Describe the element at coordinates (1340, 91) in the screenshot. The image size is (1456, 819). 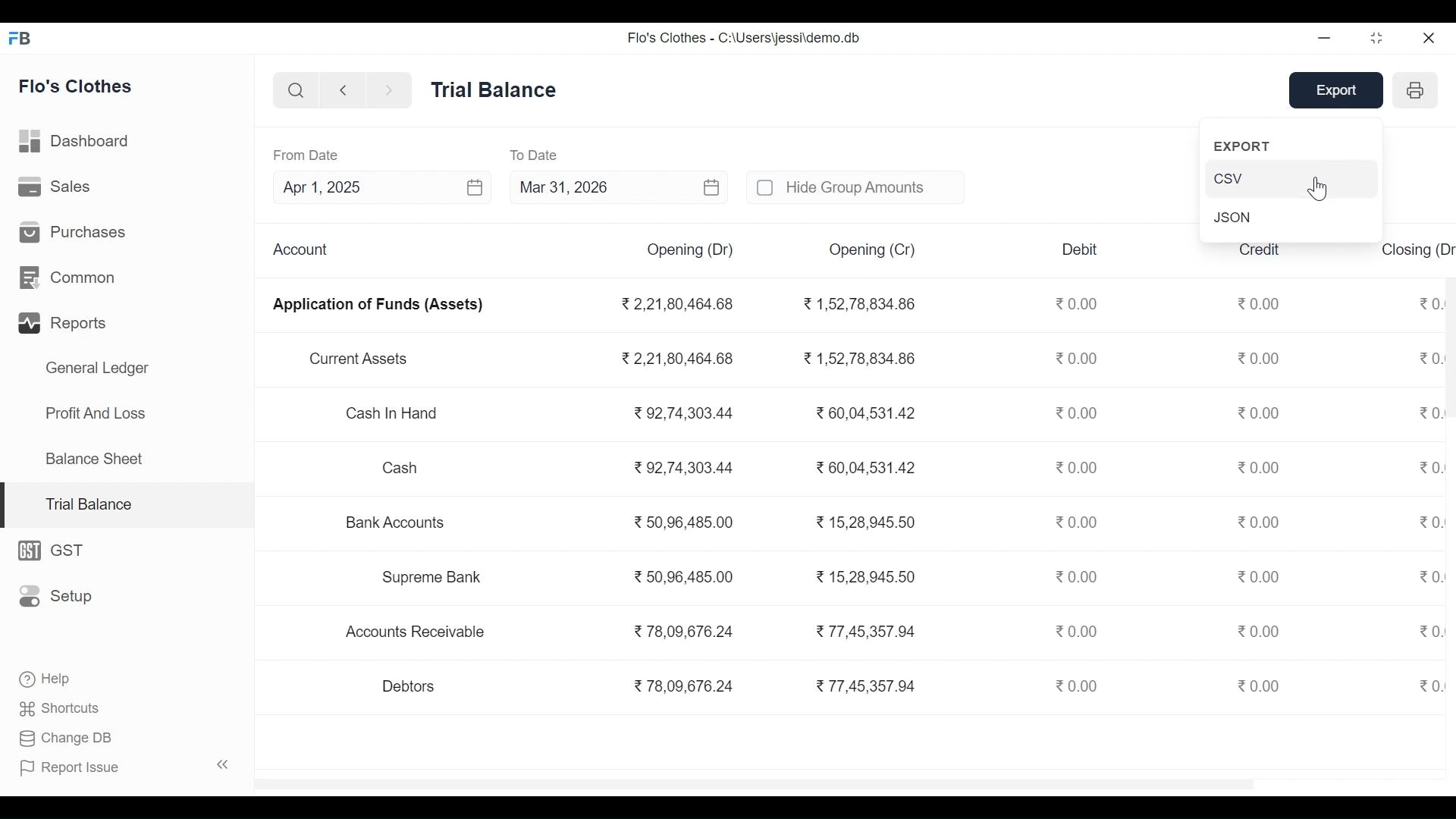
I see `Export` at that location.